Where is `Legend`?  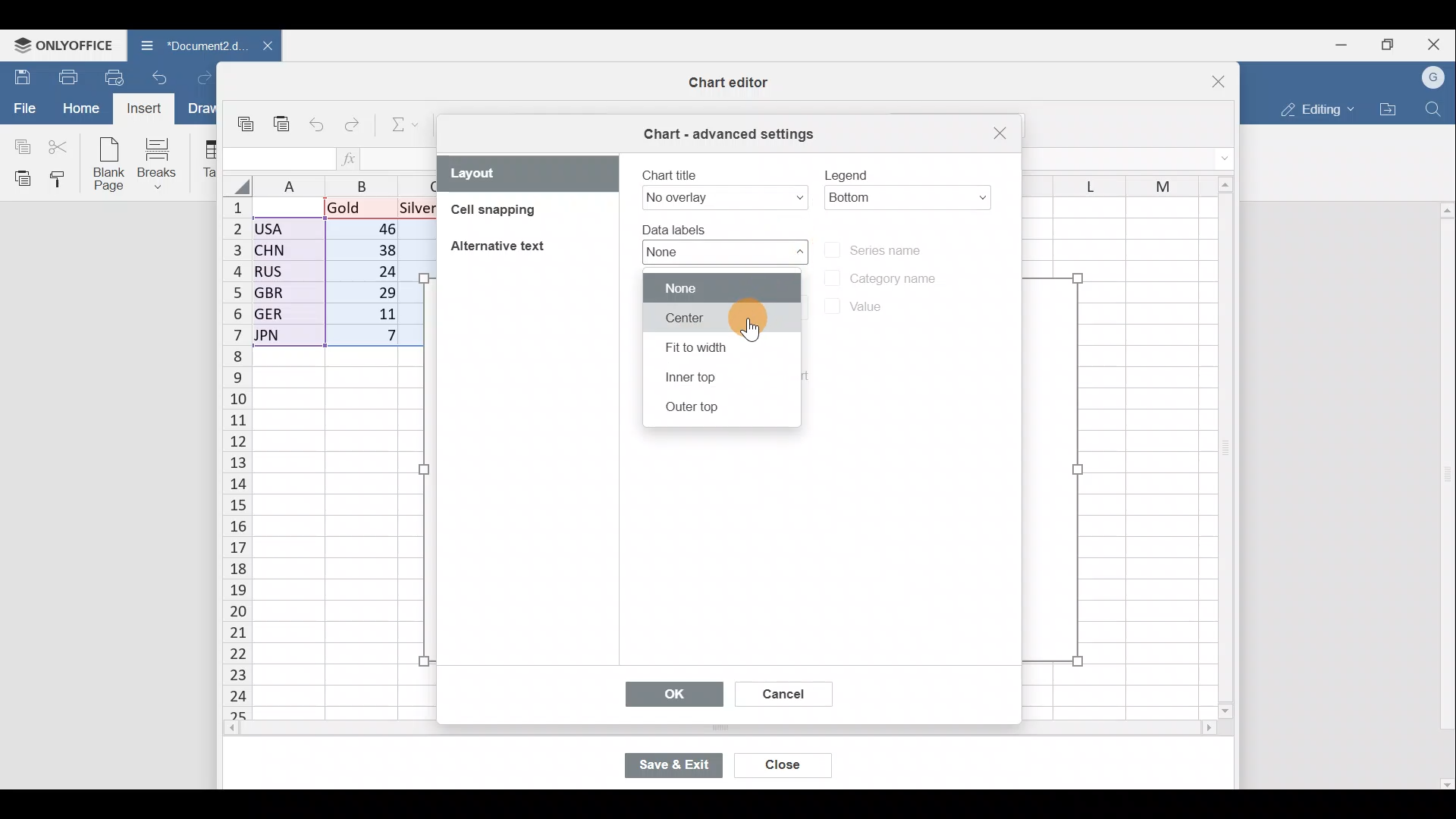 Legend is located at coordinates (908, 182).